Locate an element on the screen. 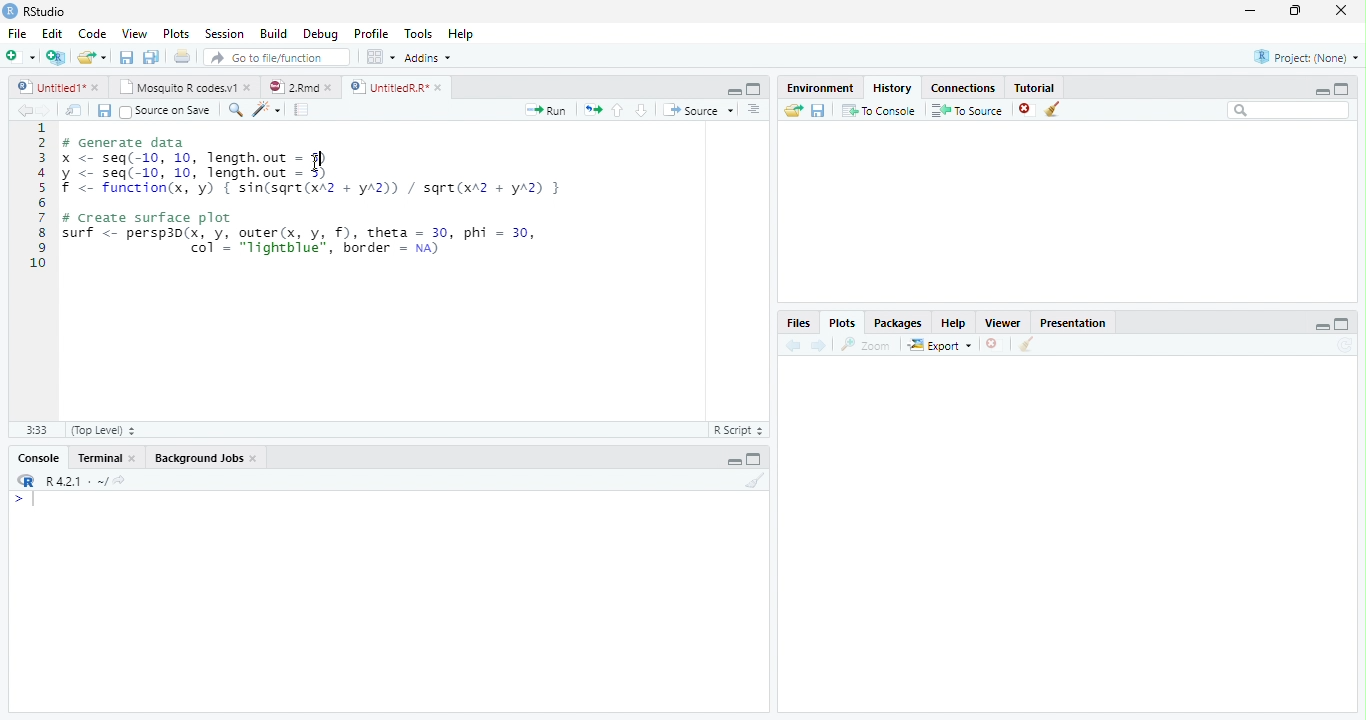  Save current document is located at coordinates (103, 110).